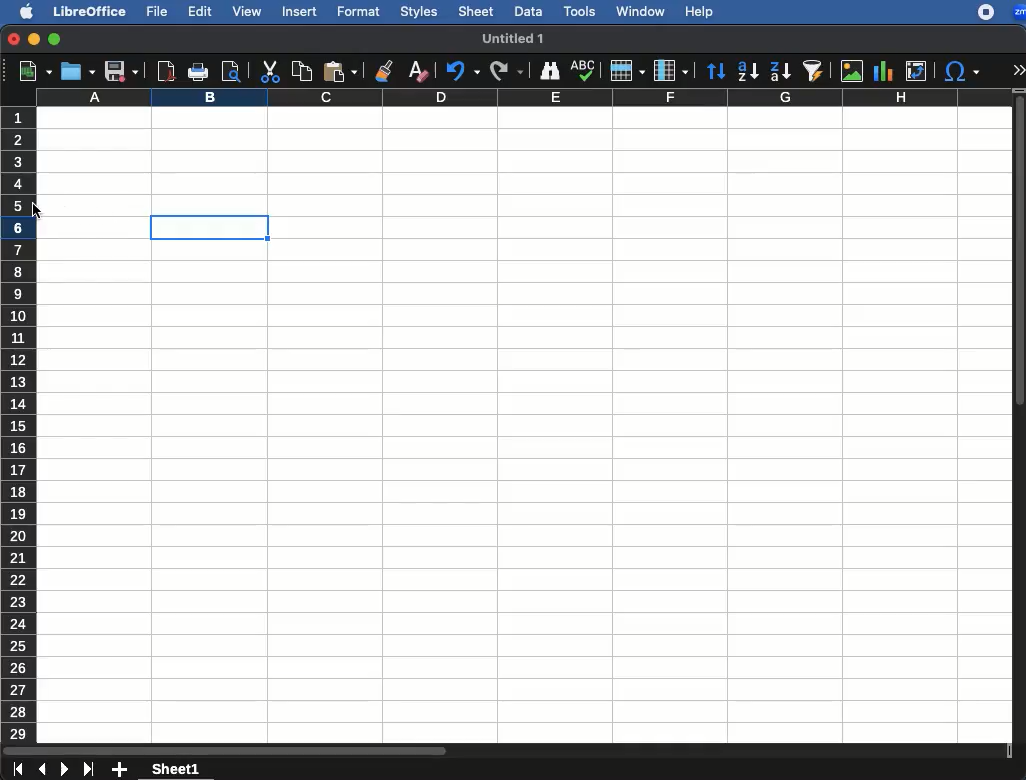  Describe the element at coordinates (528, 11) in the screenshot. I see `data` at that location.